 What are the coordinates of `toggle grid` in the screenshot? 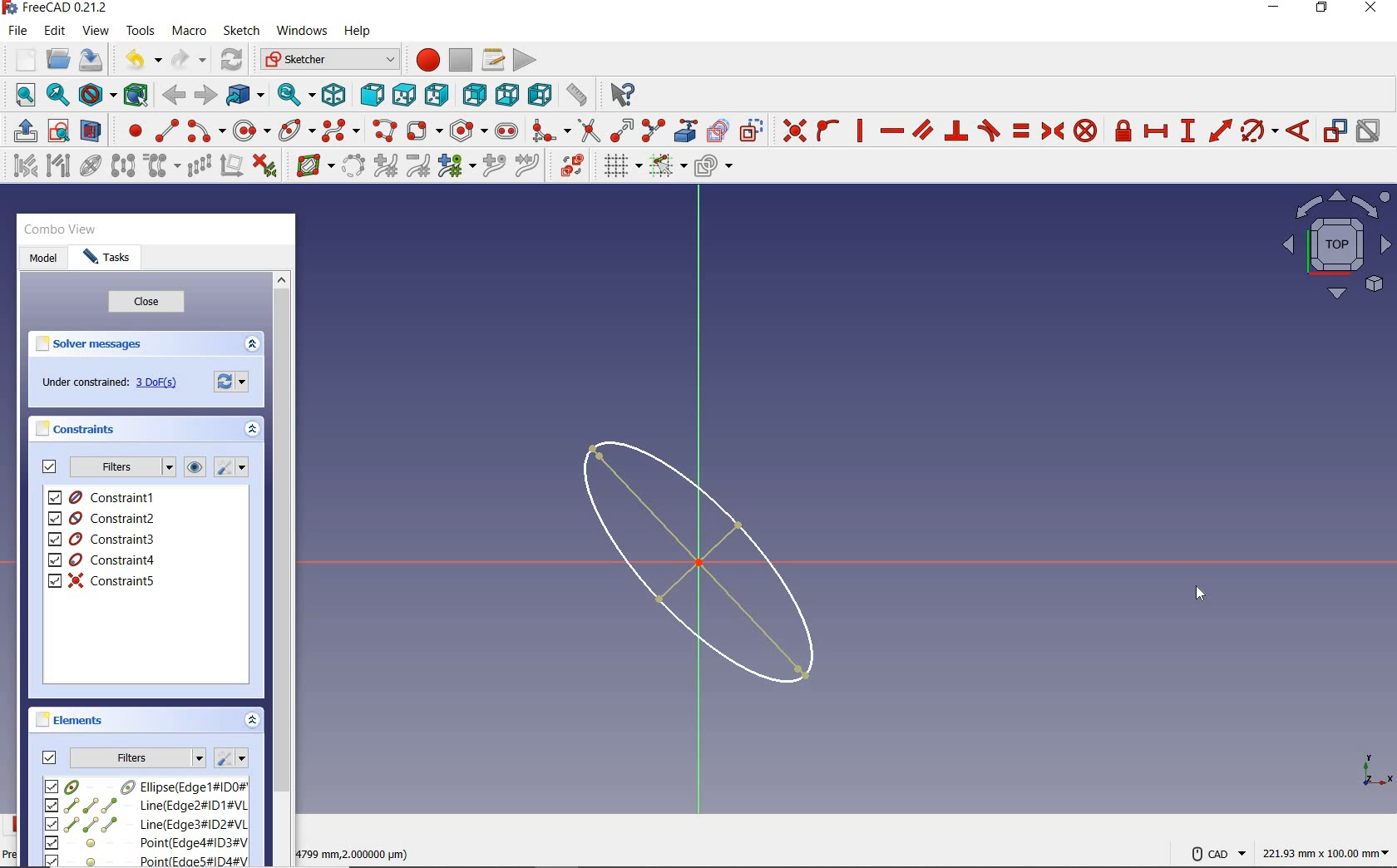 It's located at (620, 165).